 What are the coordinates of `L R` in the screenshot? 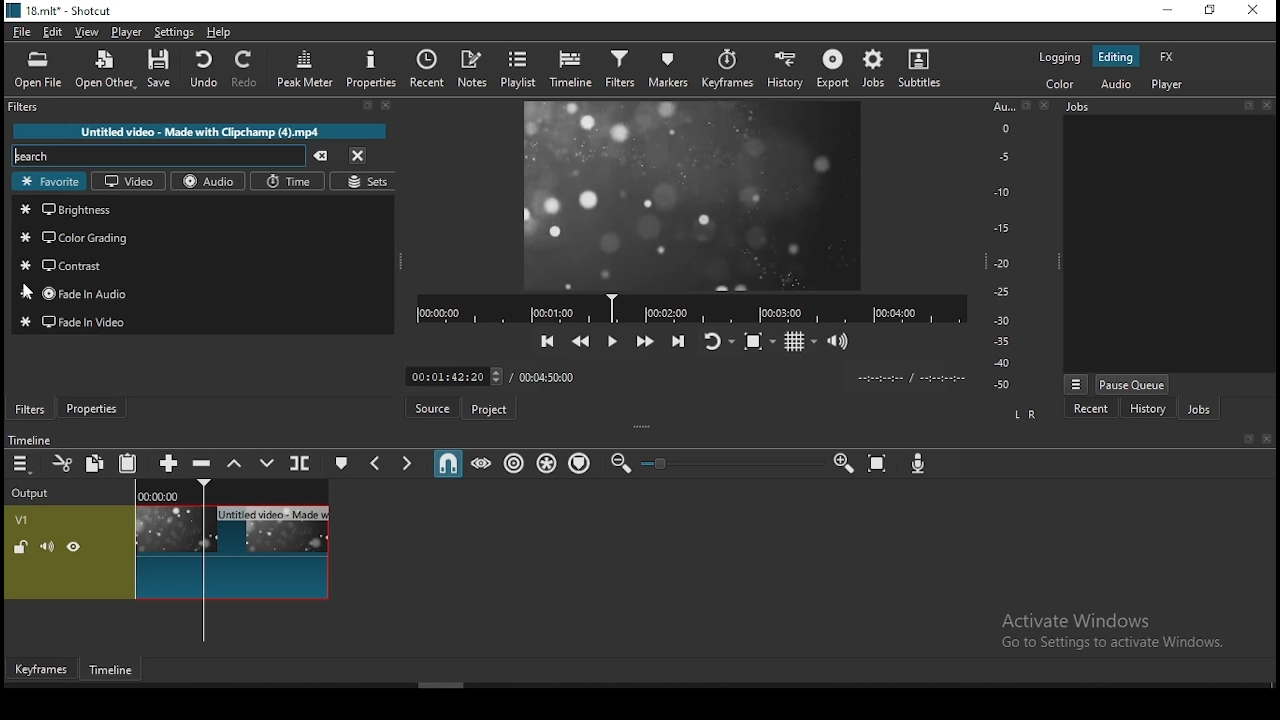 It's located at (1026, 415).